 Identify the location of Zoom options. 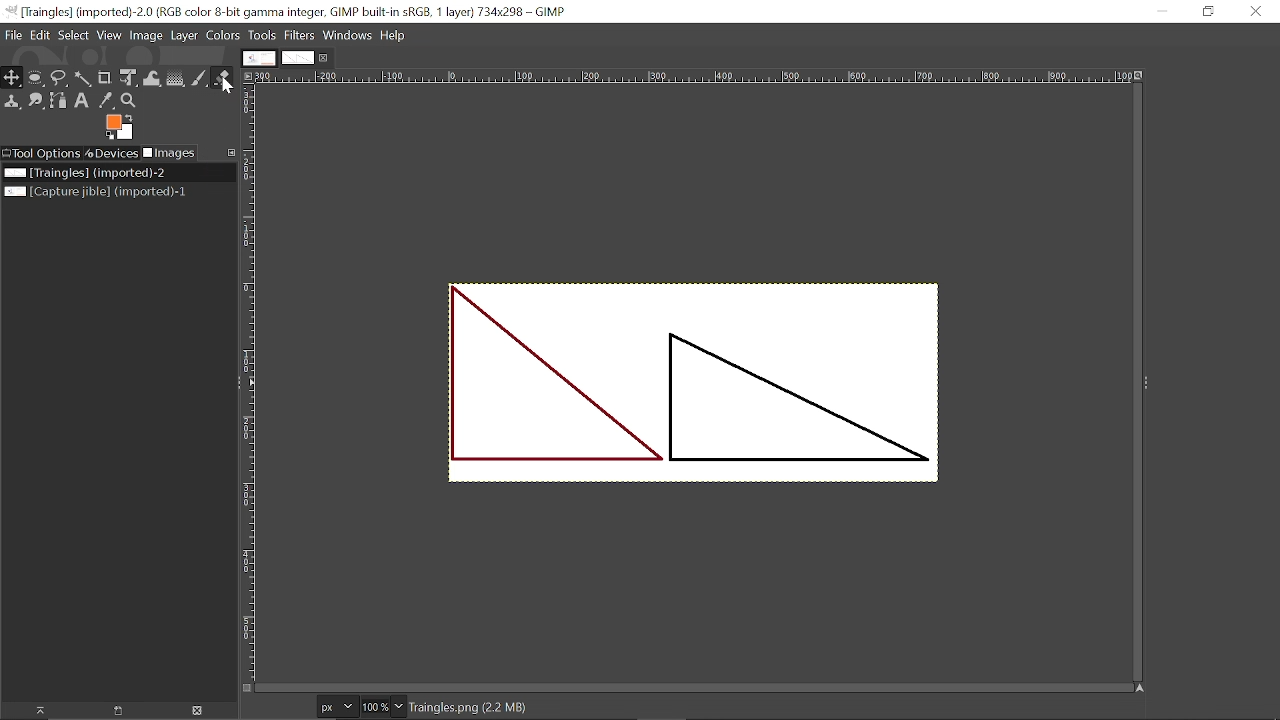
(398, 706).